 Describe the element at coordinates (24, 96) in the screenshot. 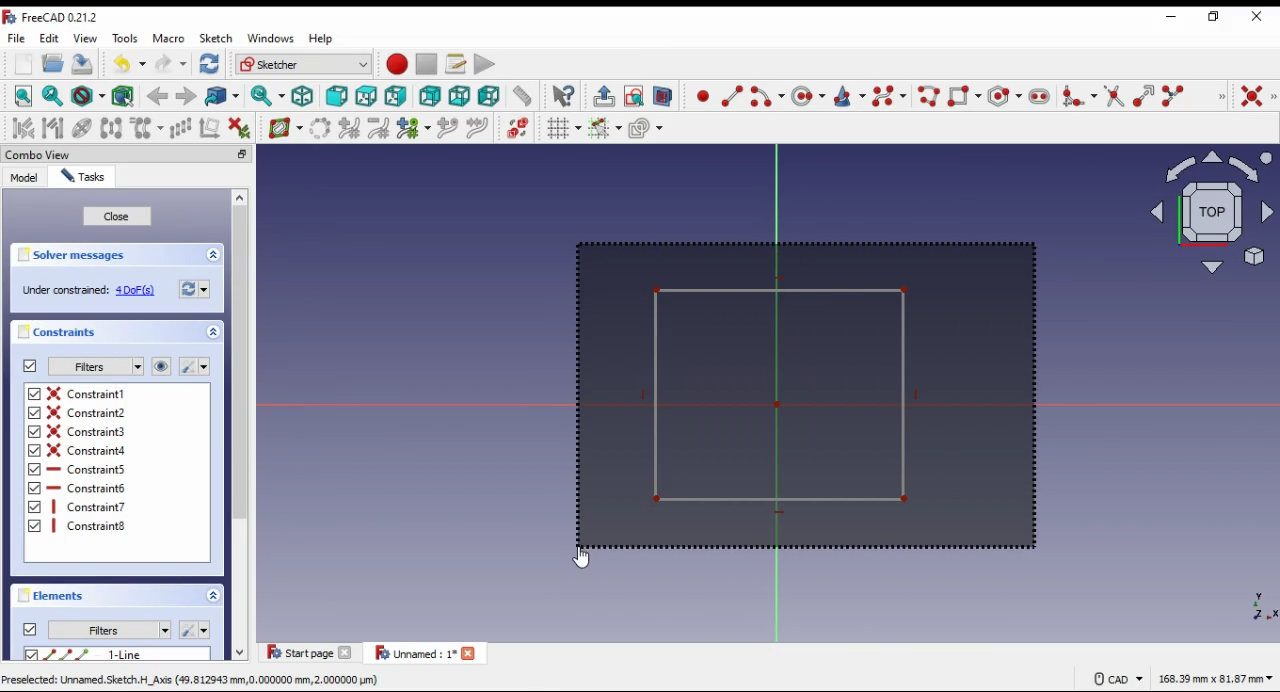

I see `fit all` at that location.